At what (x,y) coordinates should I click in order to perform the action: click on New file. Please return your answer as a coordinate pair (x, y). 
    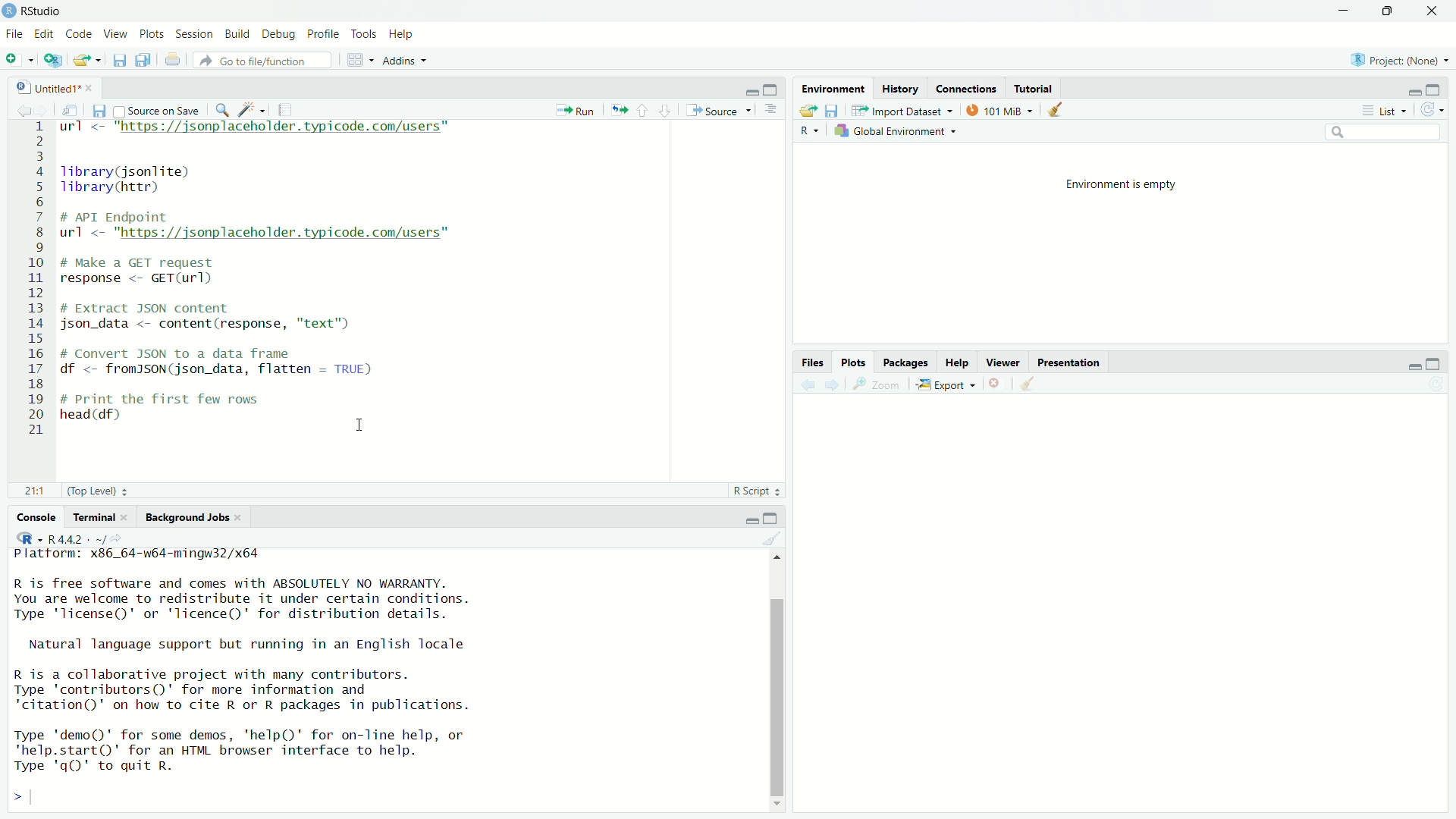
    Looking at the image, I should click on (20, 59).